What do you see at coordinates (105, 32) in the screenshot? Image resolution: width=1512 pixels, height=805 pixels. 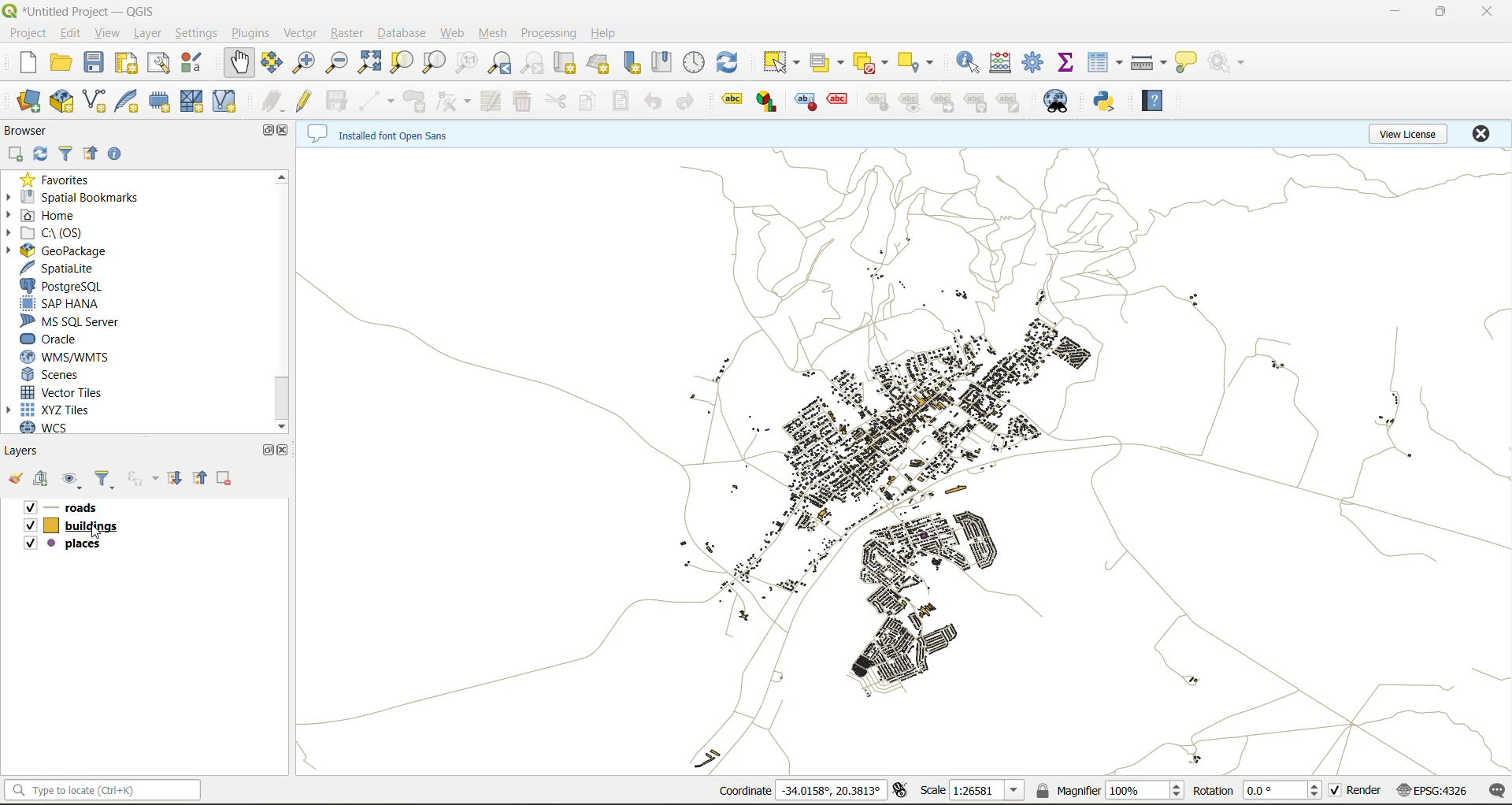 I see `view` at bounding box center [105, 32].